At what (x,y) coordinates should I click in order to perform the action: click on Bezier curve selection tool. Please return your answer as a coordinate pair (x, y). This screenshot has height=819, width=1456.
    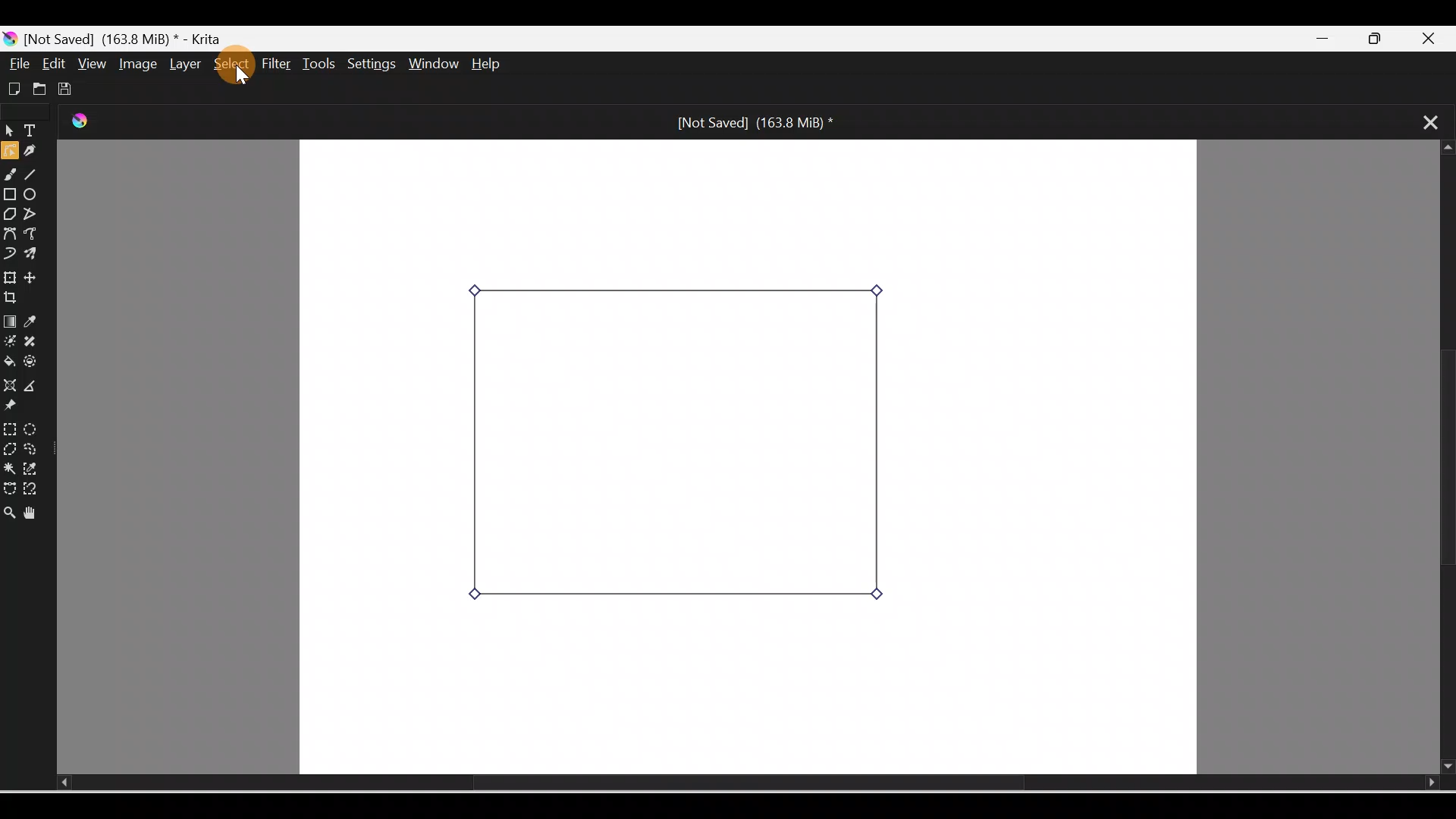
    Looking at the image, I should click on (9, 485).